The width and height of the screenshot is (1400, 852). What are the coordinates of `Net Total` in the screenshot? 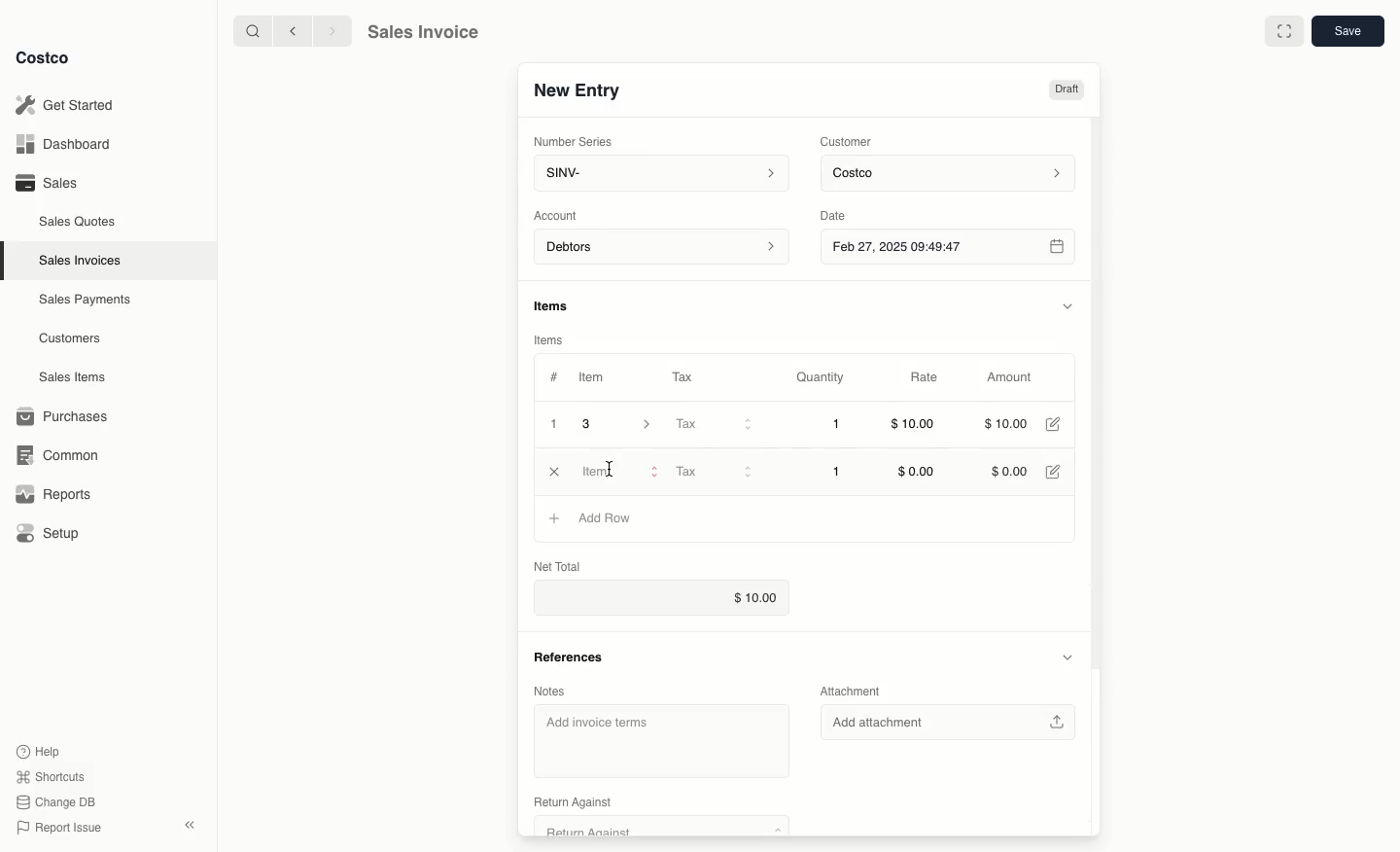 It's located at (562, 565).